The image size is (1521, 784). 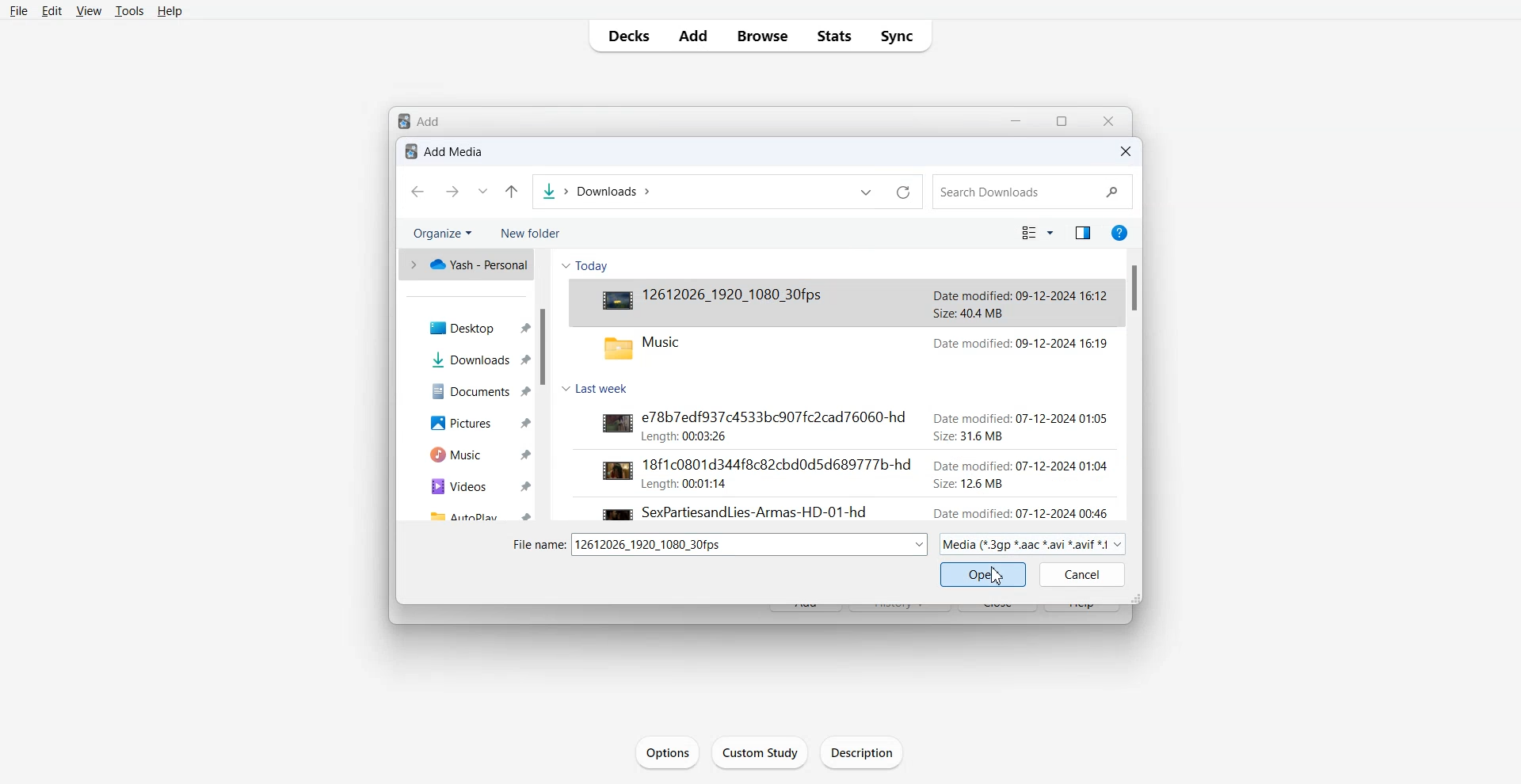 What do you see at coordinates (1031, 543) in the screenshot?
I see `Media Mode` at bounding box center [1031, 543].